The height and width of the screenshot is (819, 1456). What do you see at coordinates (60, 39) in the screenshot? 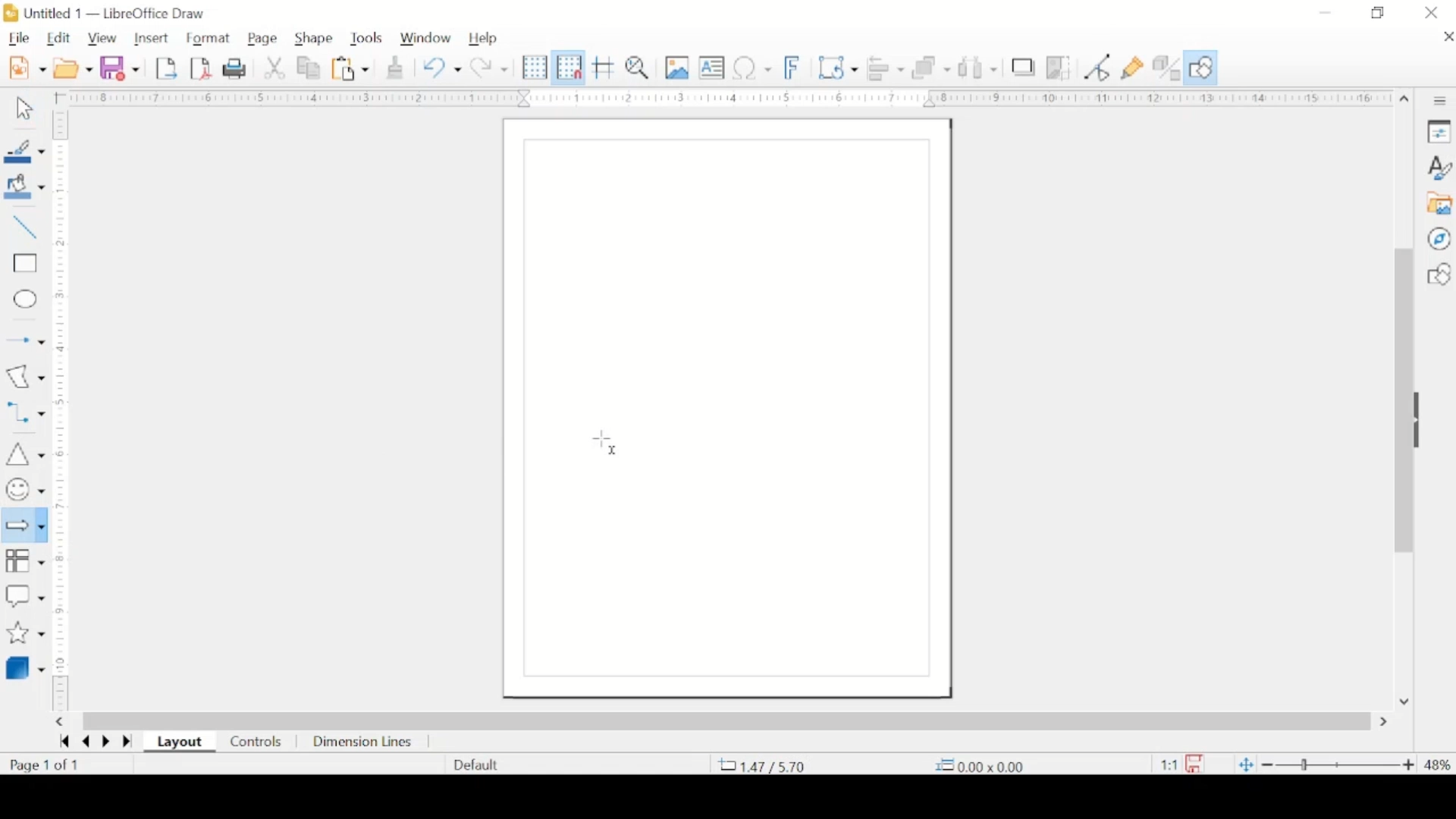
I see `edit` at bounding box center [60, 39].